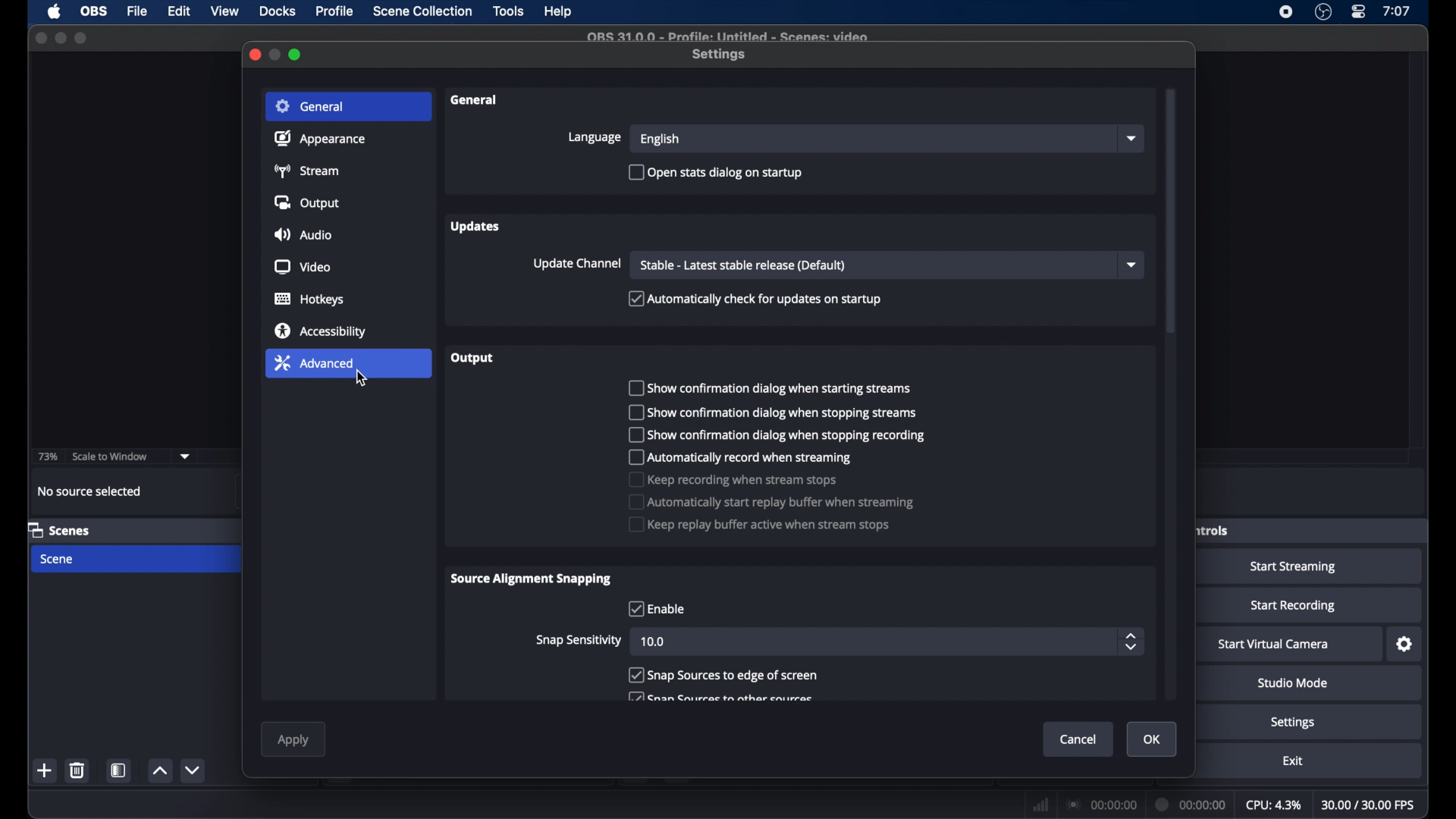  Describe the element at coordinates (337, 12) in the screenshot. I see `profile` at that location.